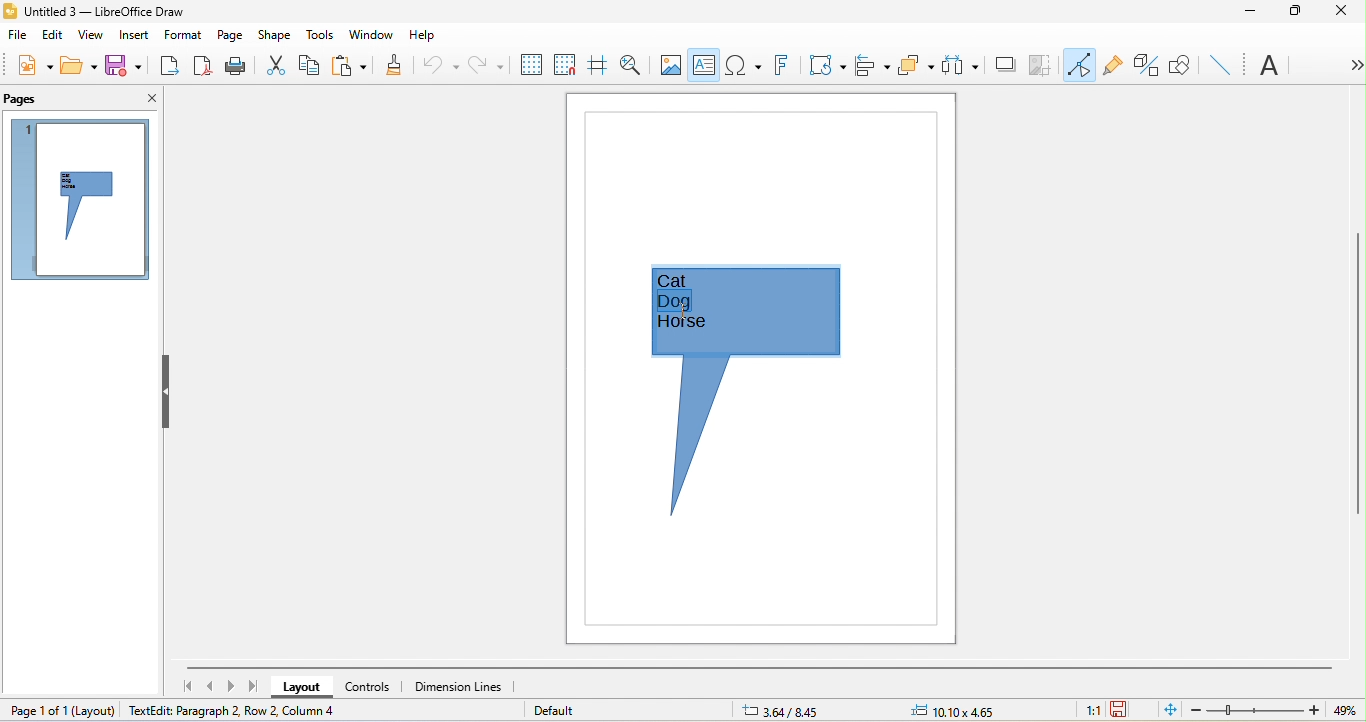 The height and width of the screenshot is (722, 1366). I want to click on print, so click(236, 68).